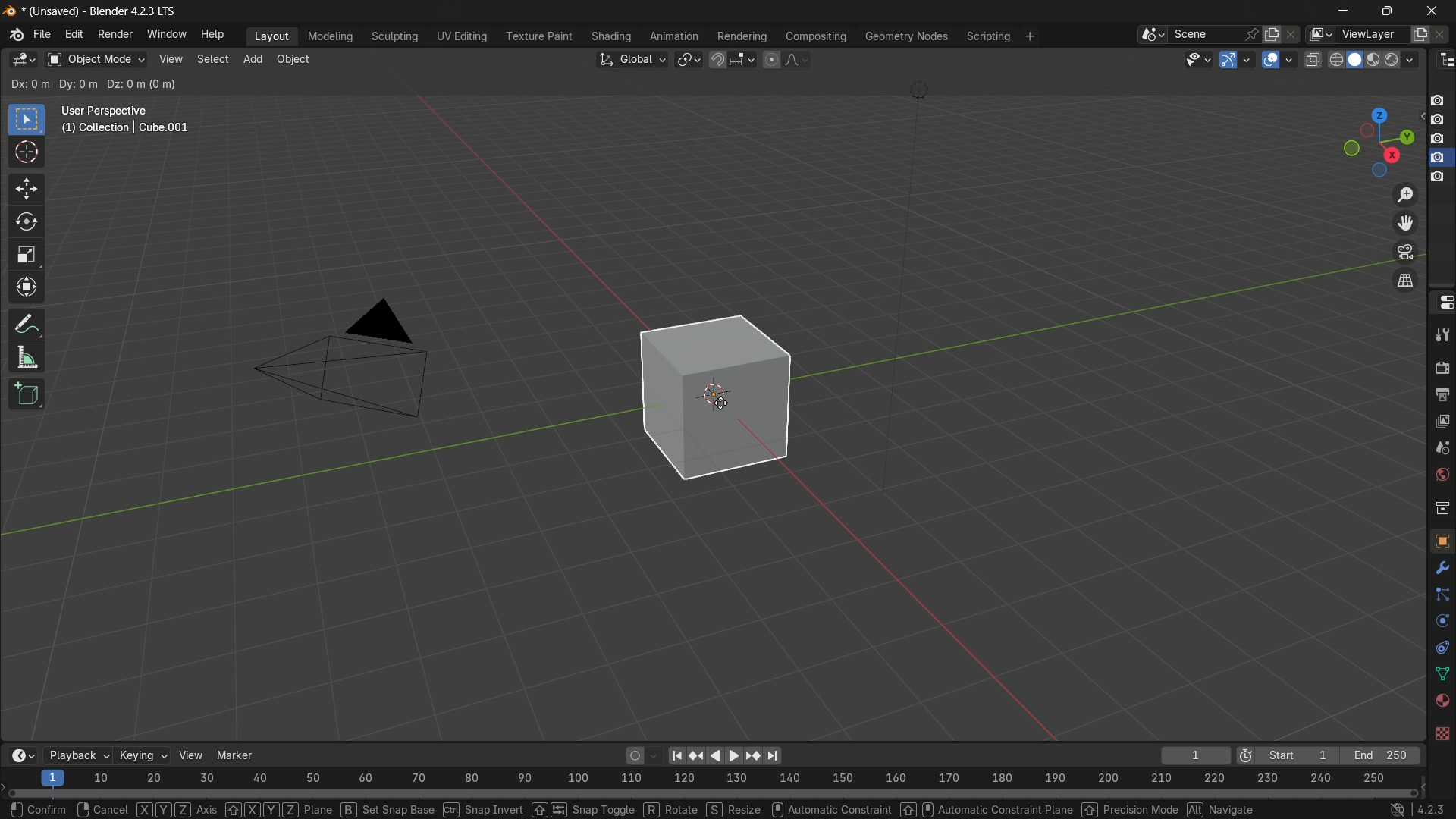  Describe the element at coordinates (330, 35) in the screenshot. I see `modeling menu` at that location.